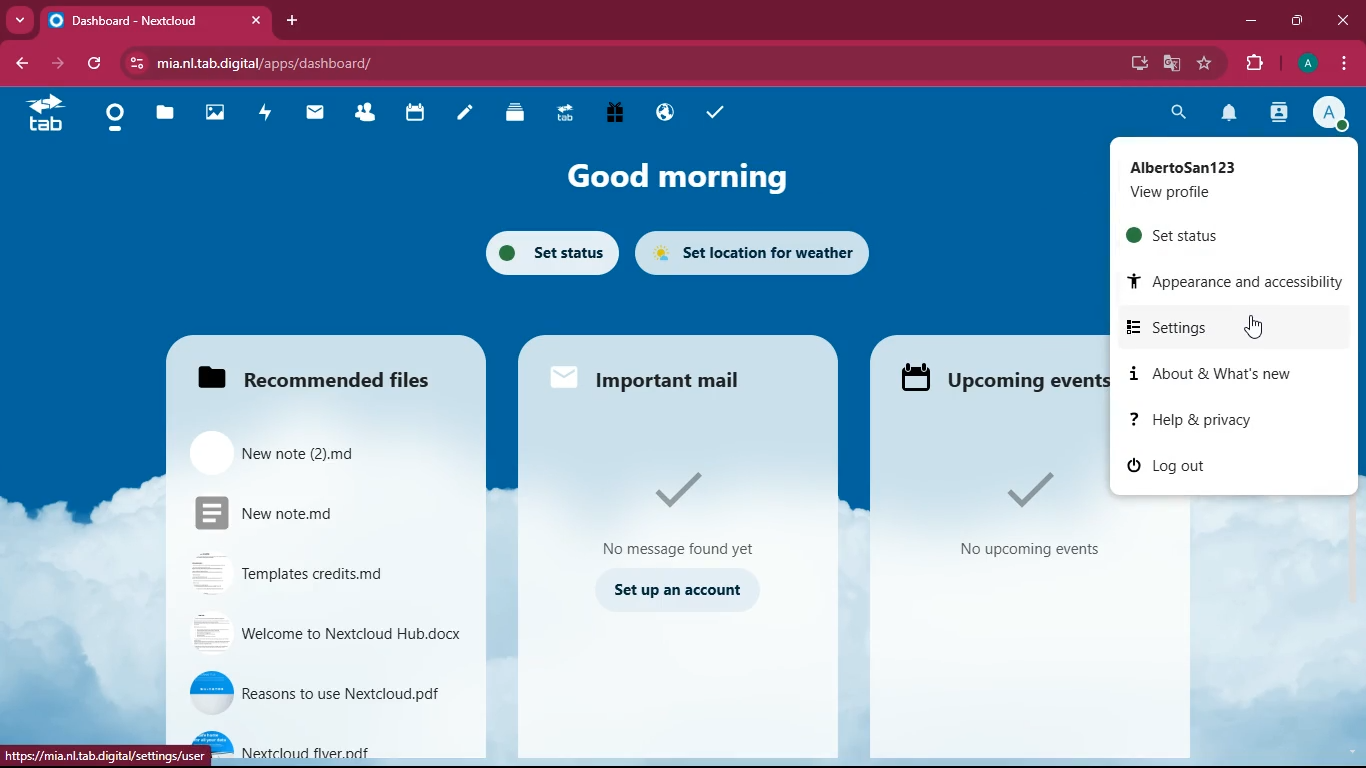 The image size is (1366, 768). I want to click on notes, so click(466, 113).